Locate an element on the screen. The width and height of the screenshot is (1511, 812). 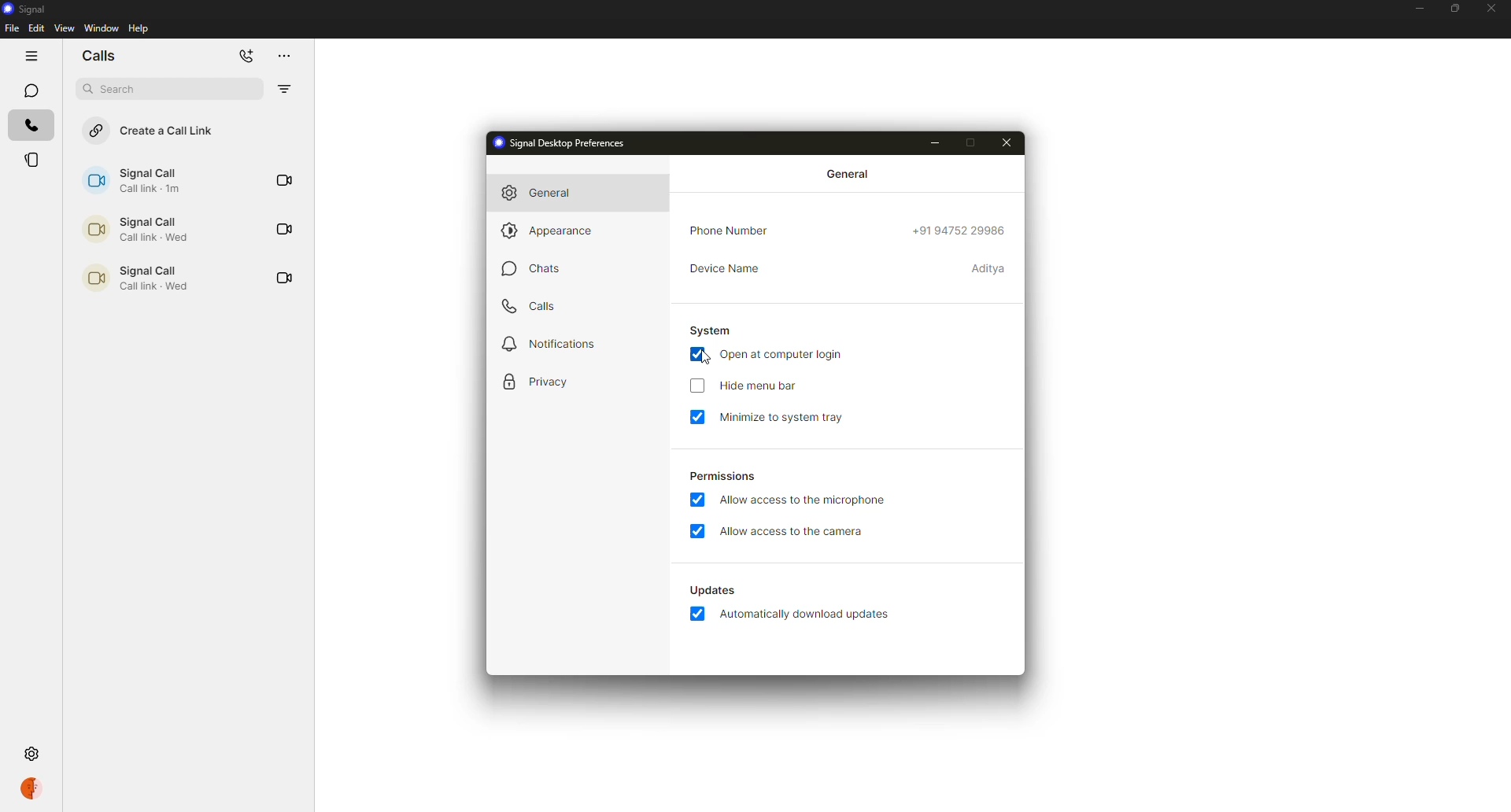
privacy is located at coordinates (540, 381).